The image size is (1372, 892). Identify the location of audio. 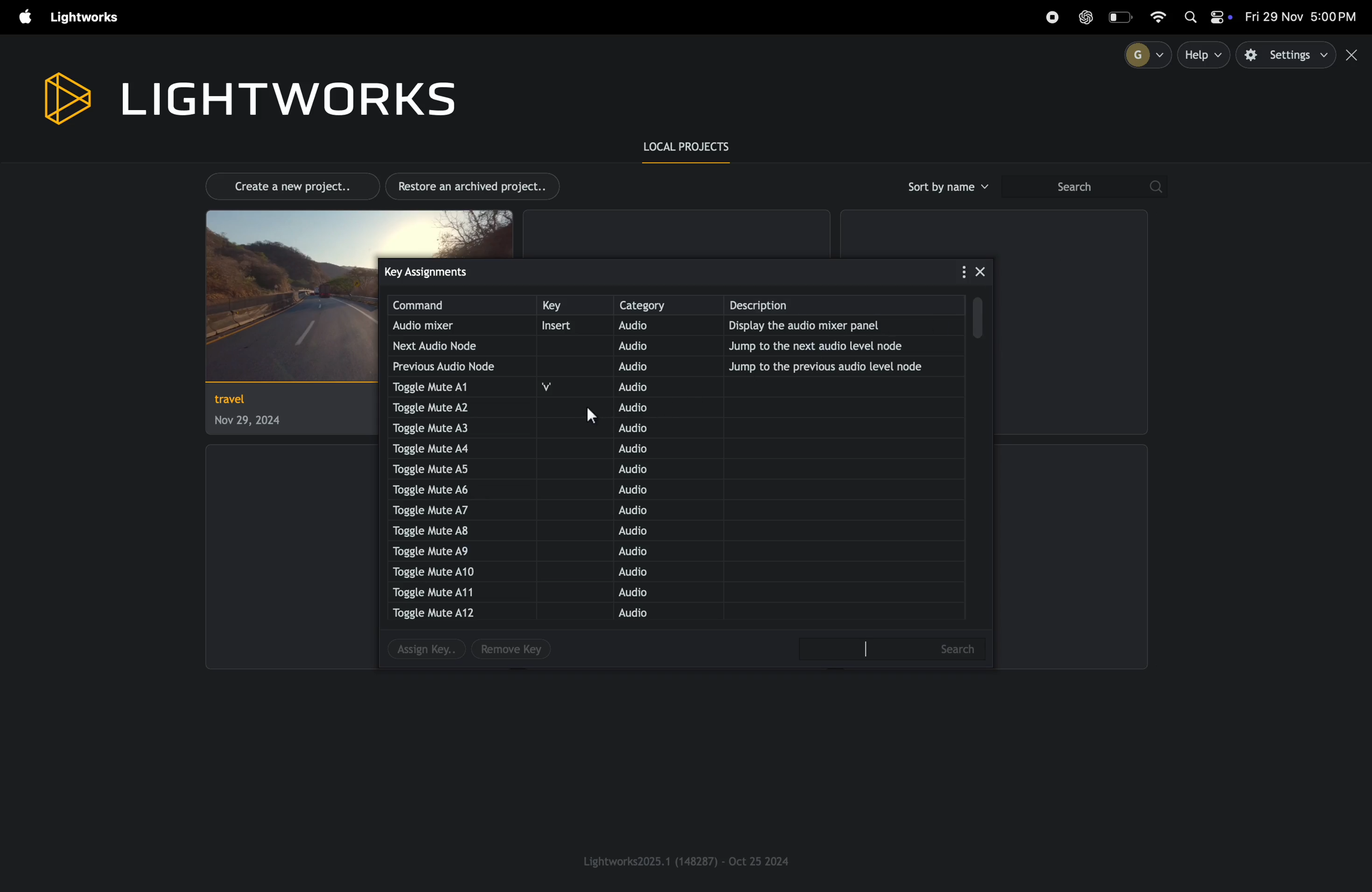
(652, 346).